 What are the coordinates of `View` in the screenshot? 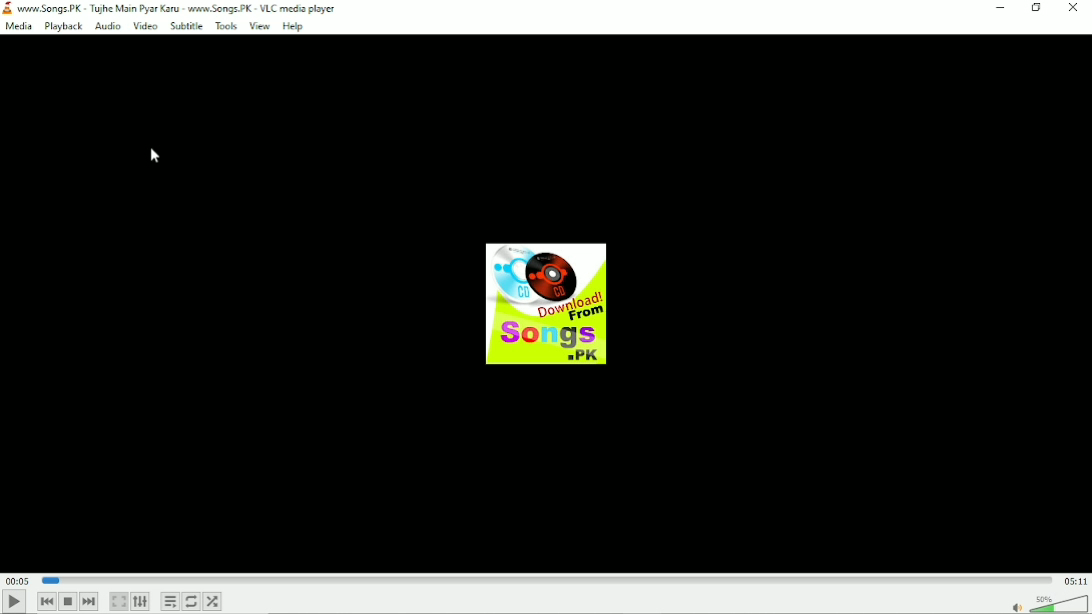 It's located at (258, 26).